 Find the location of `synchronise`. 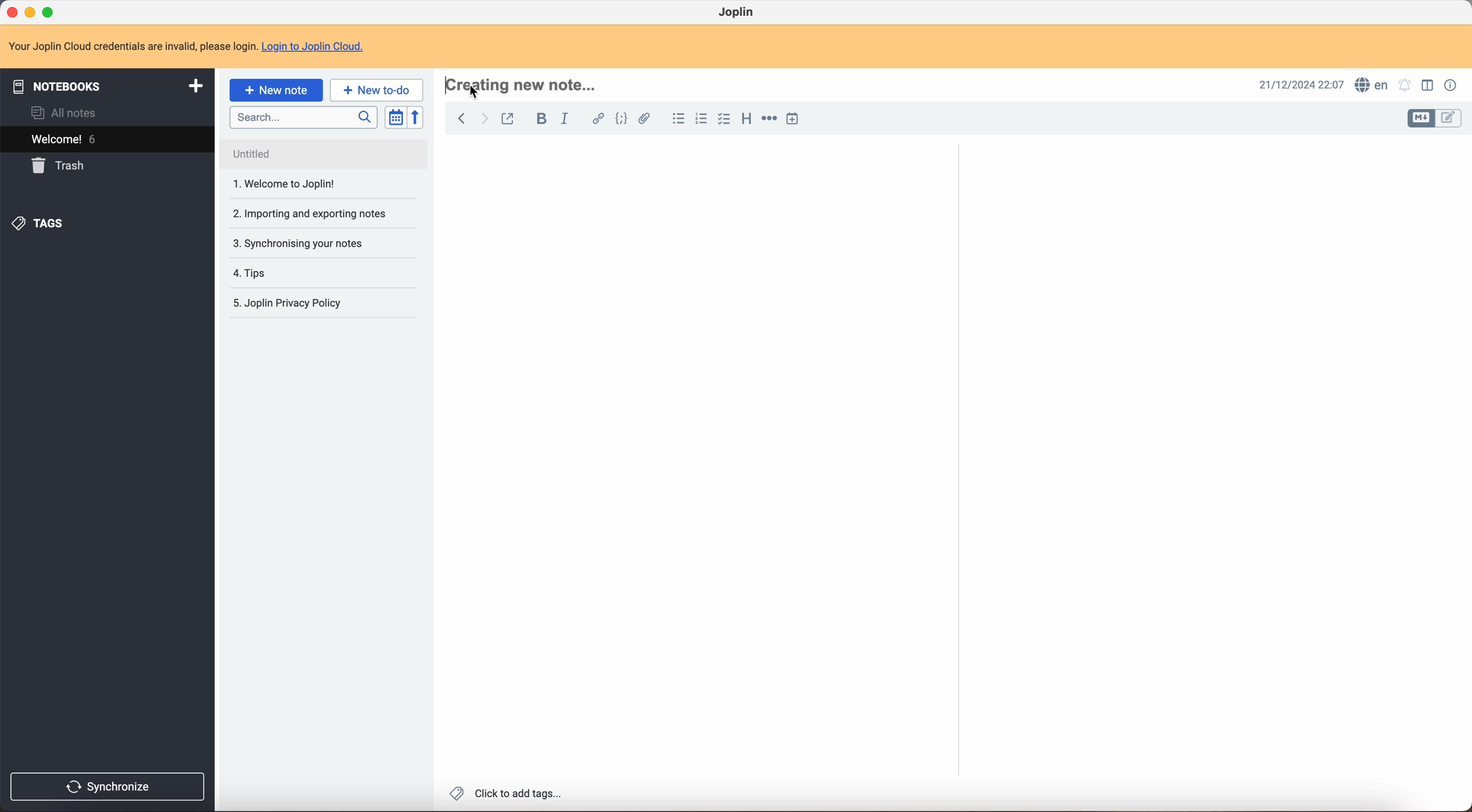

synchronise is located at coordinates (111, 786).